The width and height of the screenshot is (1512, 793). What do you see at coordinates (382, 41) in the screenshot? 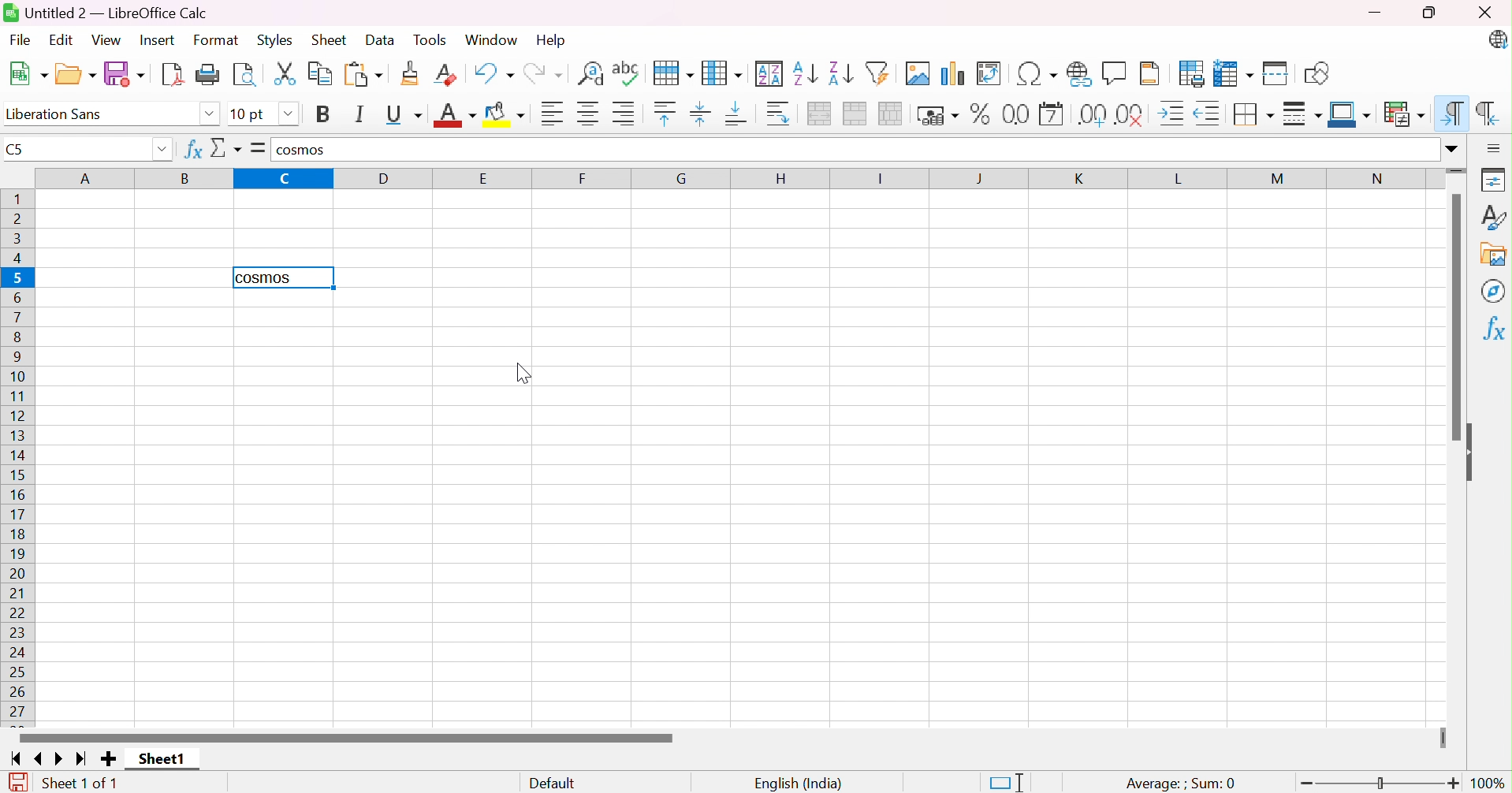
I see `Data` at bounding box center [382, 41].